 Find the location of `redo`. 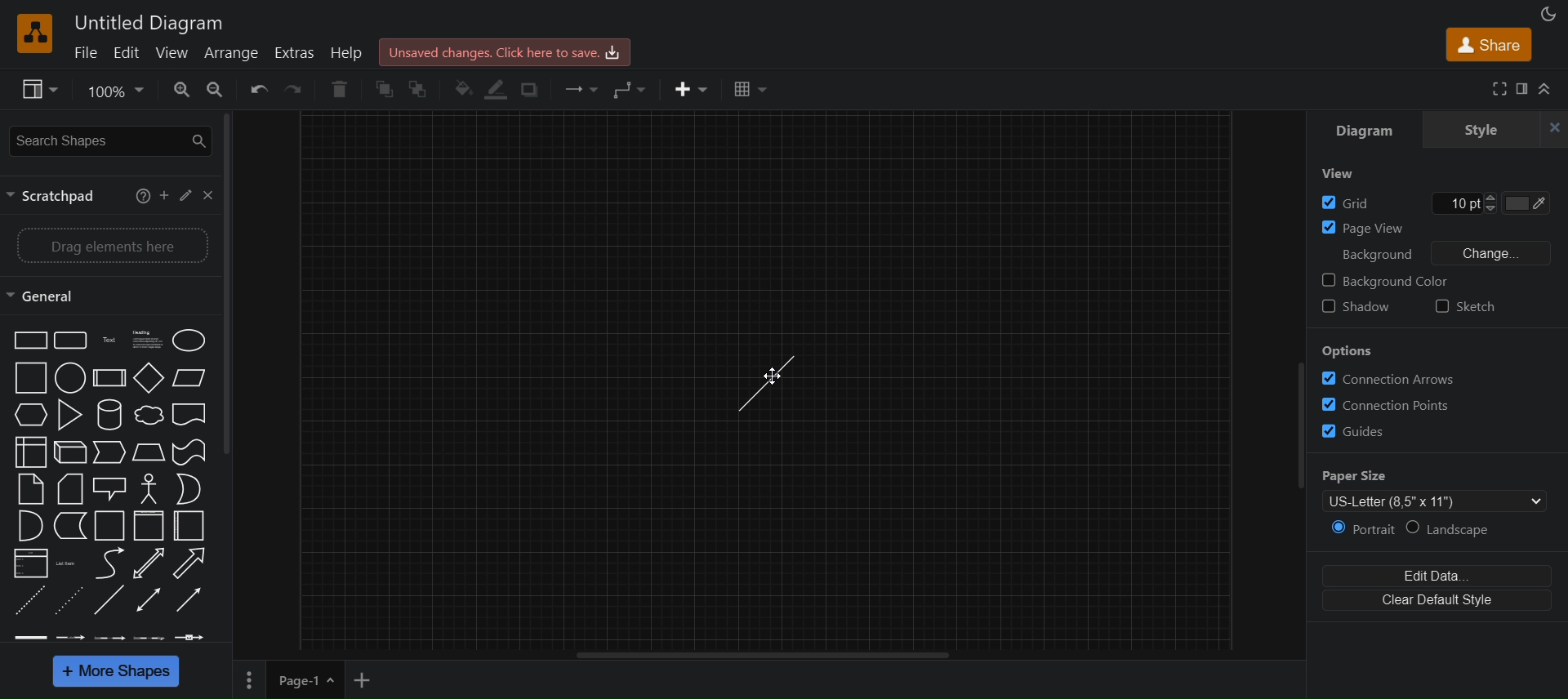

redo is located at coordinates (300, 90).